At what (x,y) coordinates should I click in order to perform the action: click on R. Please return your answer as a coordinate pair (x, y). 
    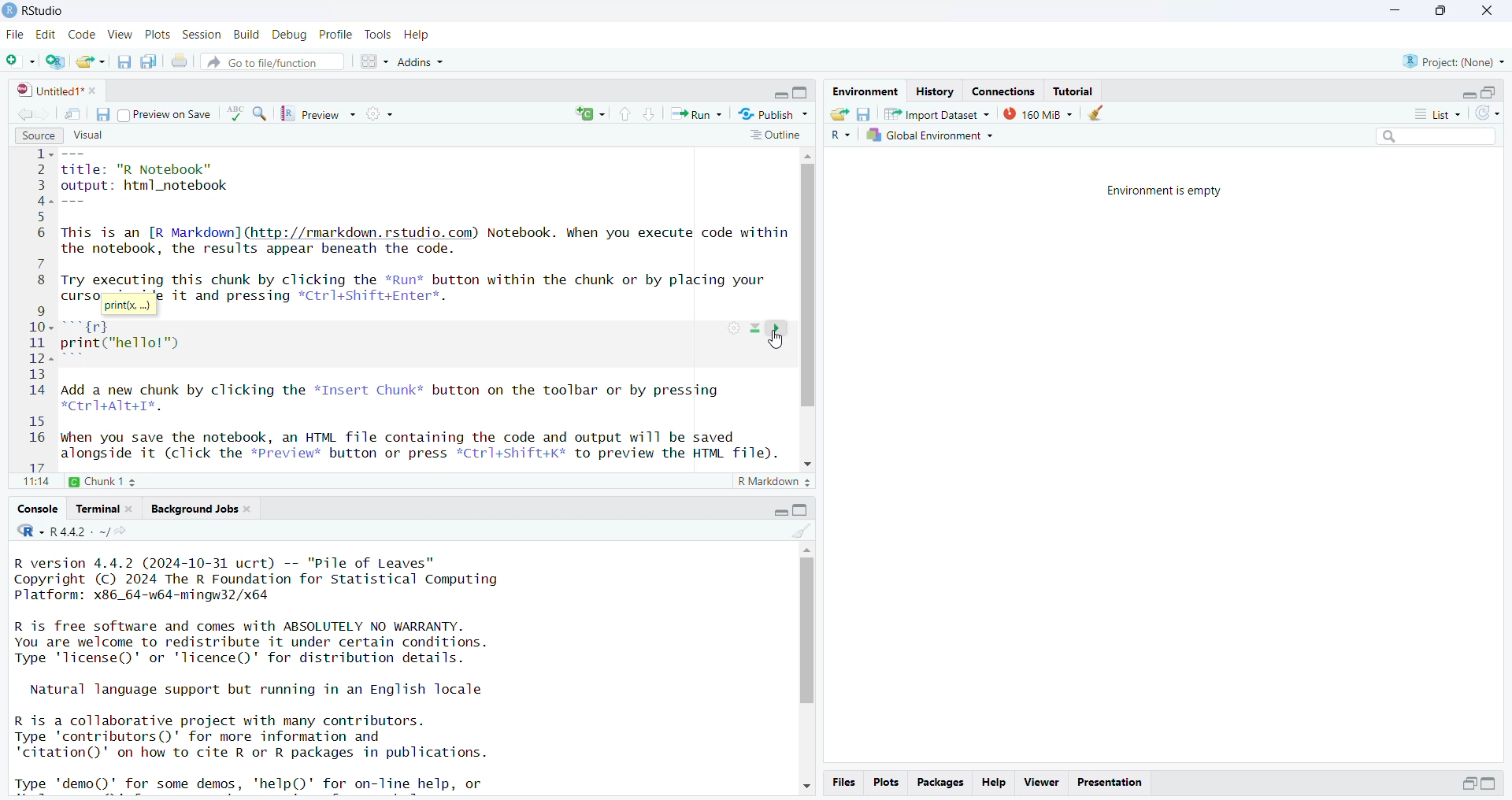
    Looking at the image, I should click on (838, 136).